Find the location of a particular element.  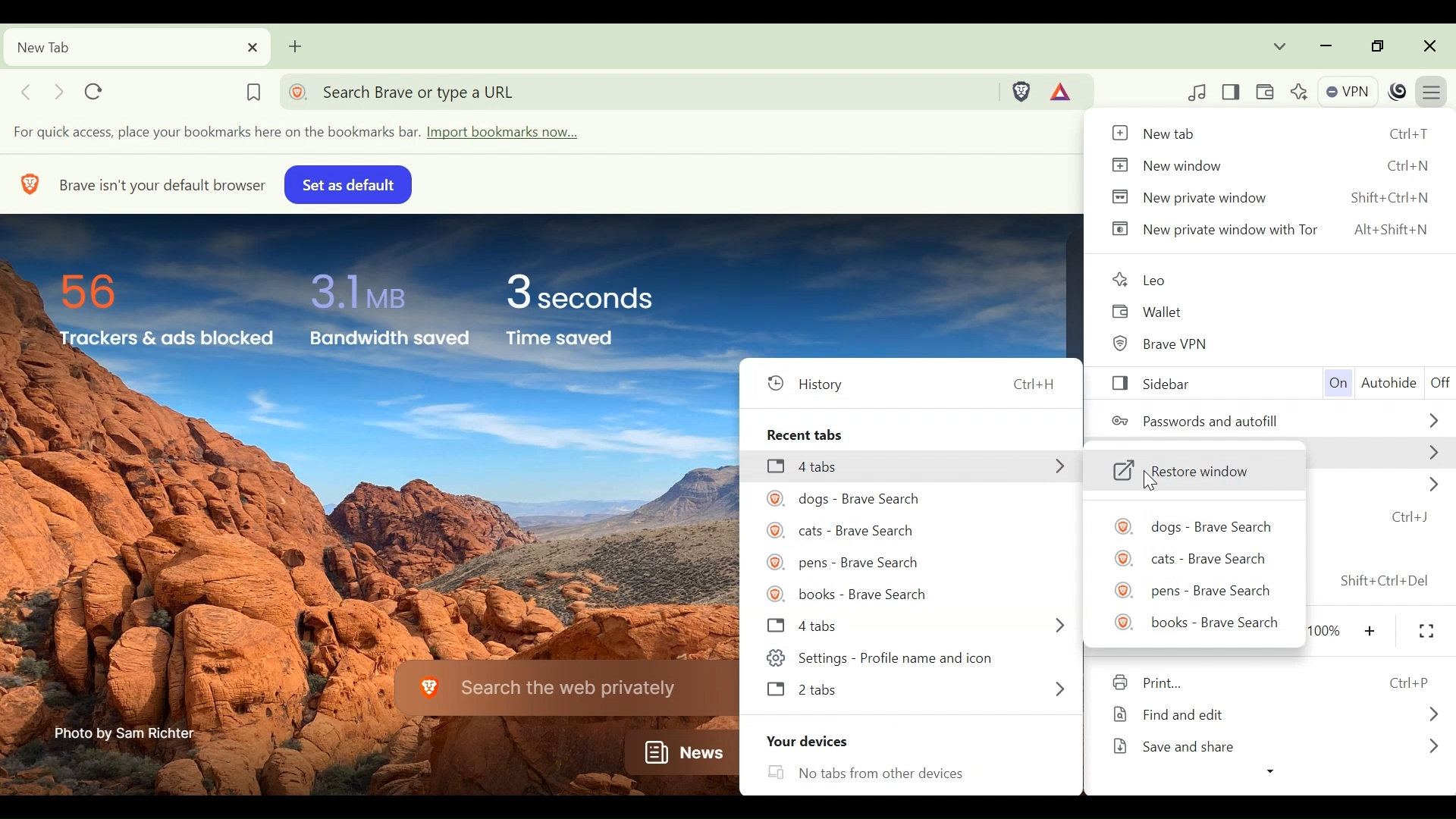

BRAVE LOGO is located at coordinates (27, 183).